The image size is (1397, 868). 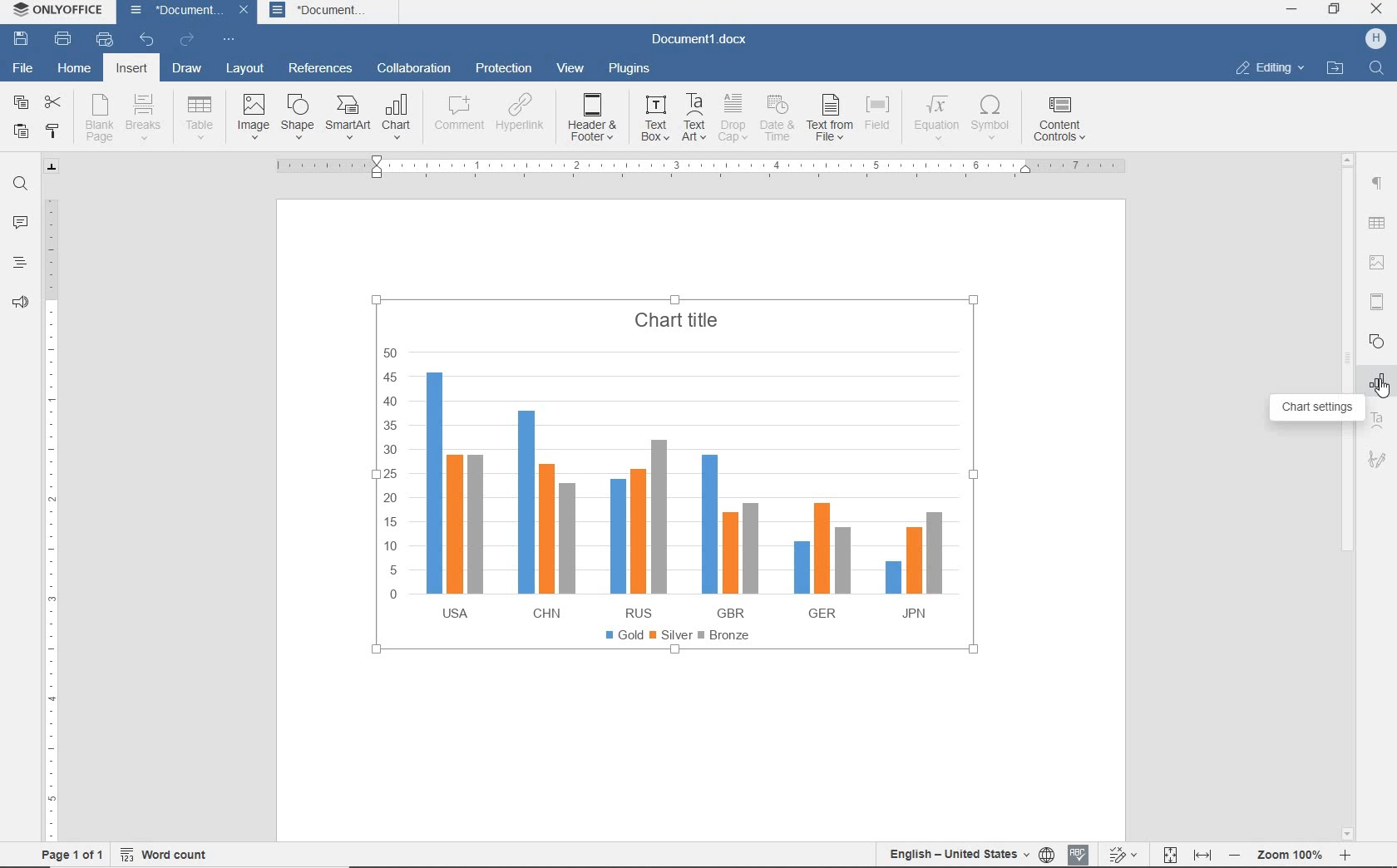 I want to click on set document labguage, so click(x=1048, y=855).